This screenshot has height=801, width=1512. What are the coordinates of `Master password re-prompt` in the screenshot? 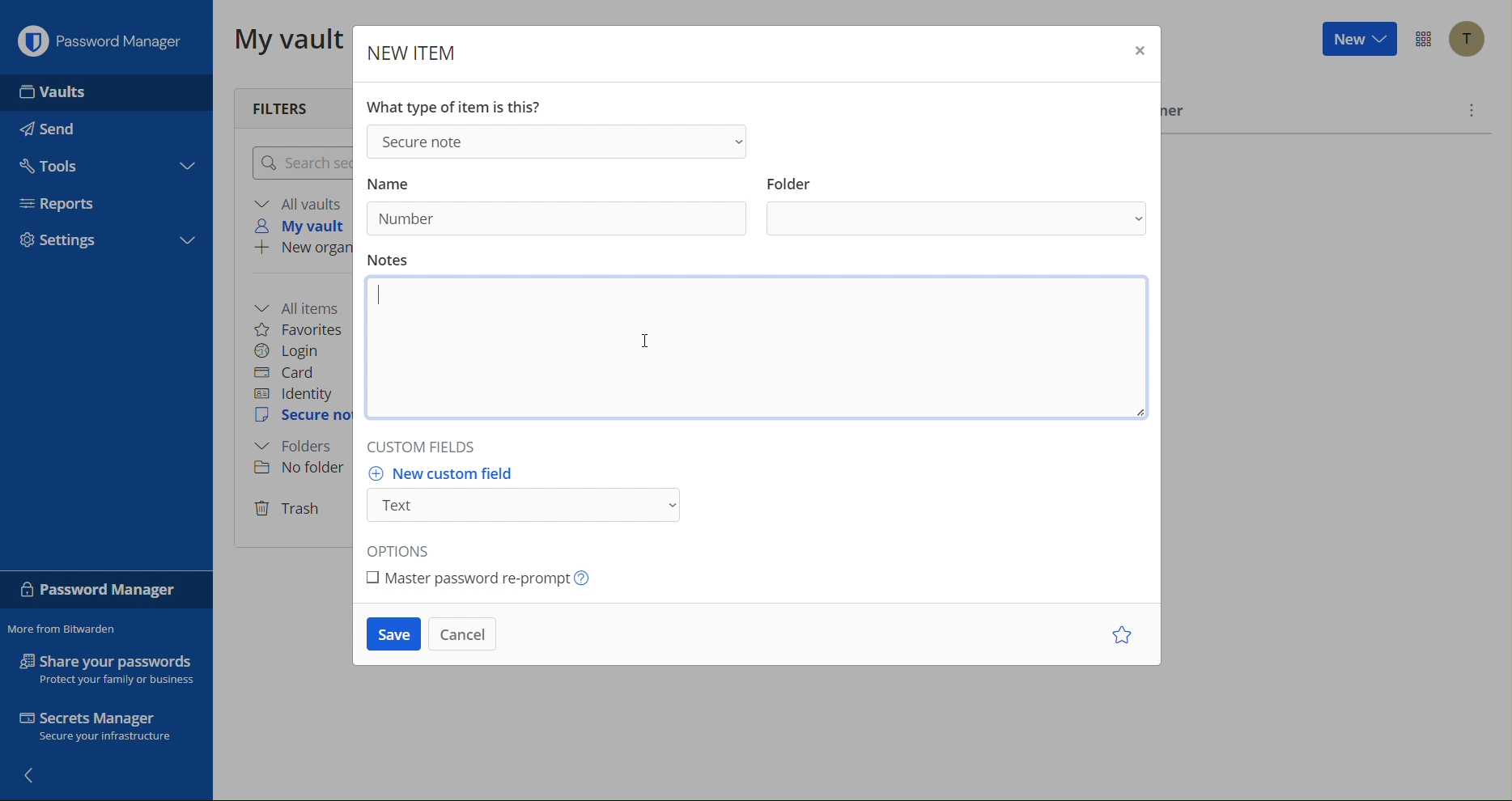 It's located at (483, 579).